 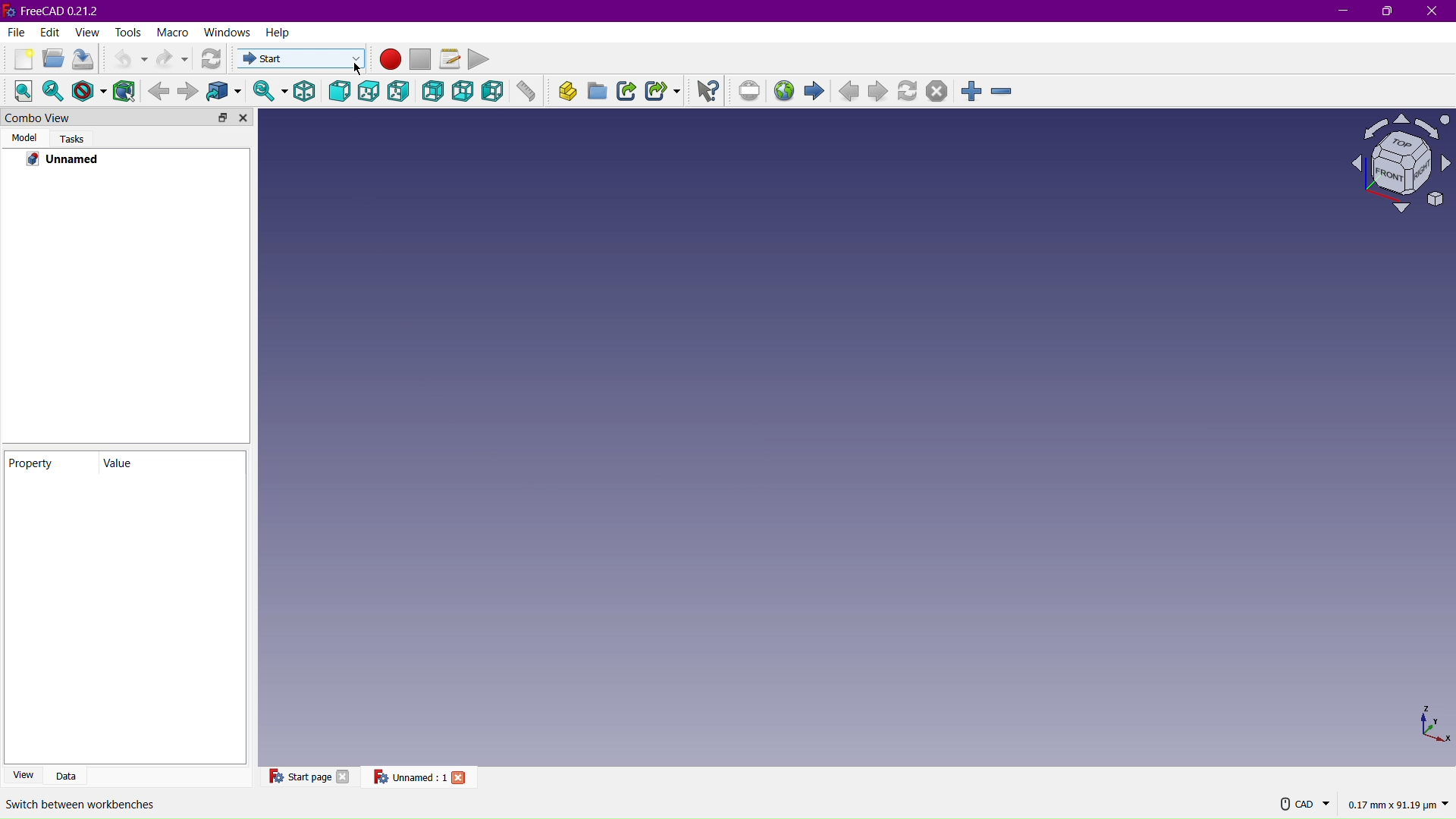 I want to click on View, so click(x=88, y=33).